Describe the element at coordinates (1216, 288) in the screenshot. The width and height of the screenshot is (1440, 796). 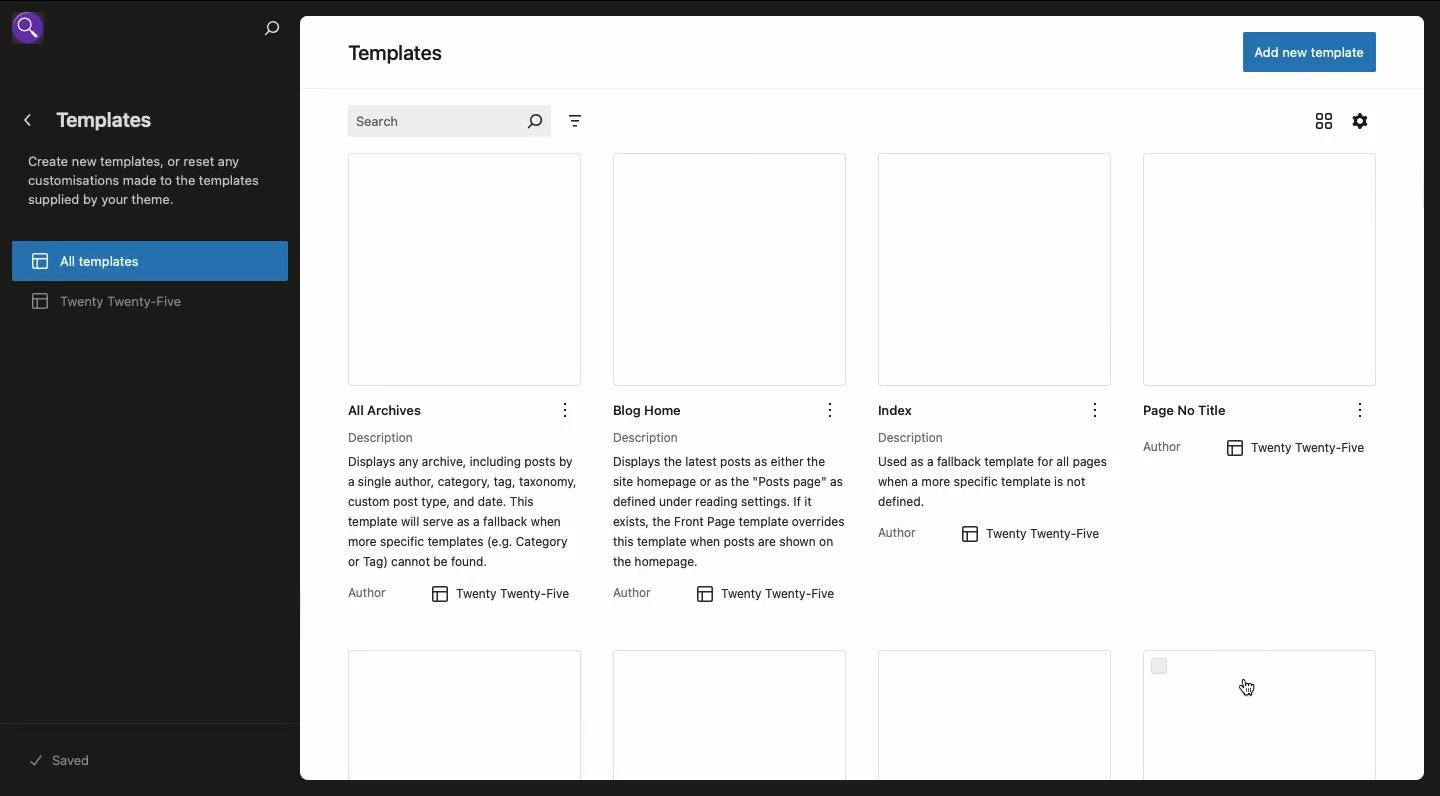
I see `Page no title` at that location.